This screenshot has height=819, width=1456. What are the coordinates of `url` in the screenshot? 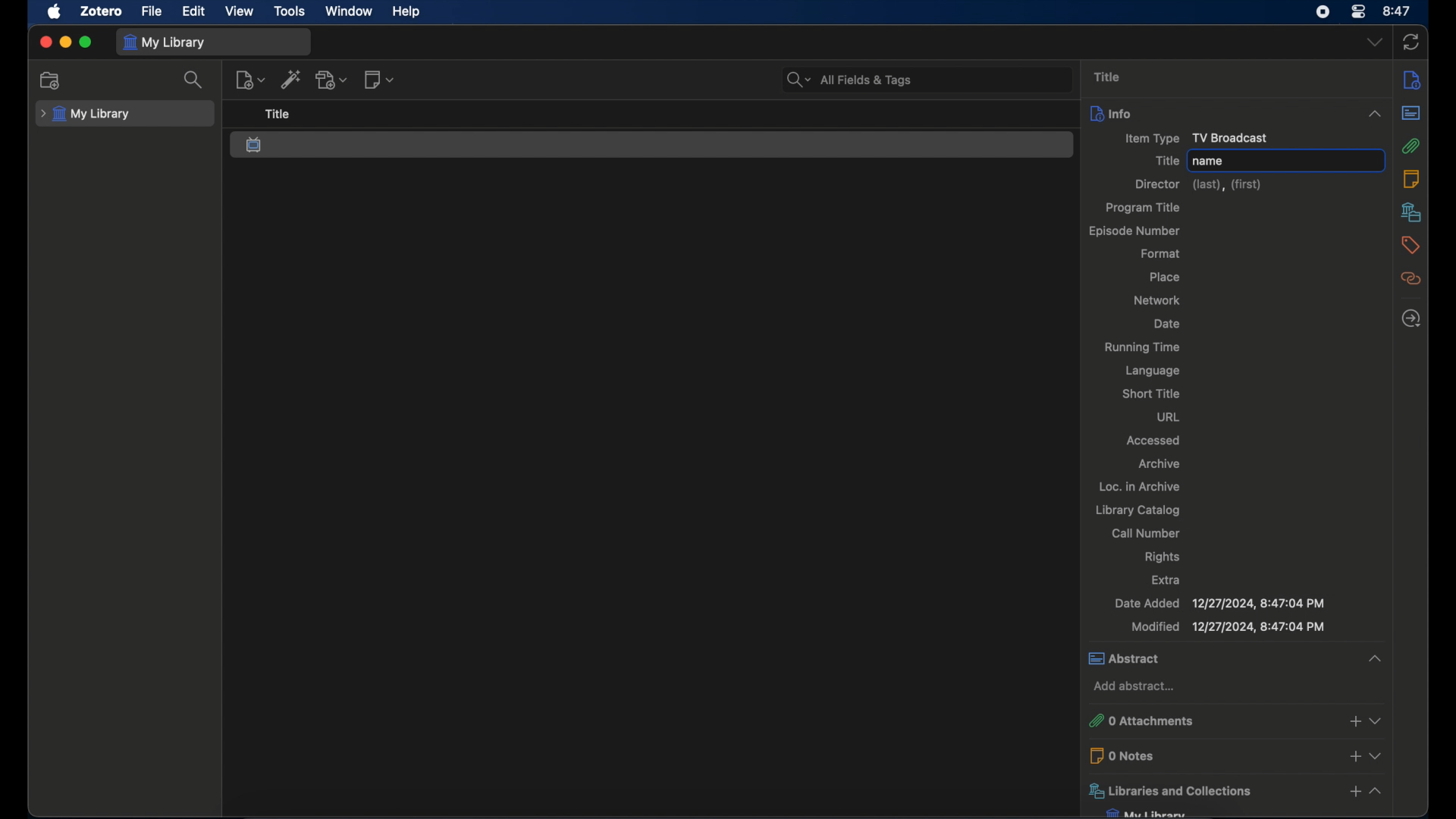 It's located at (1169, 416).